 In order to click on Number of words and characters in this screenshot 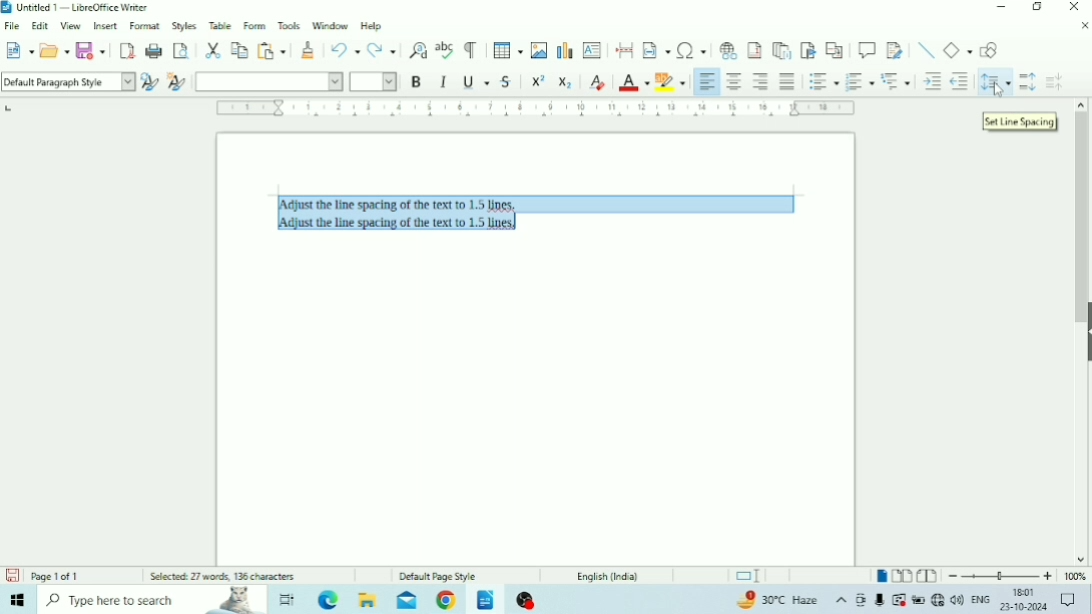, I will do `click(225, 575)`.